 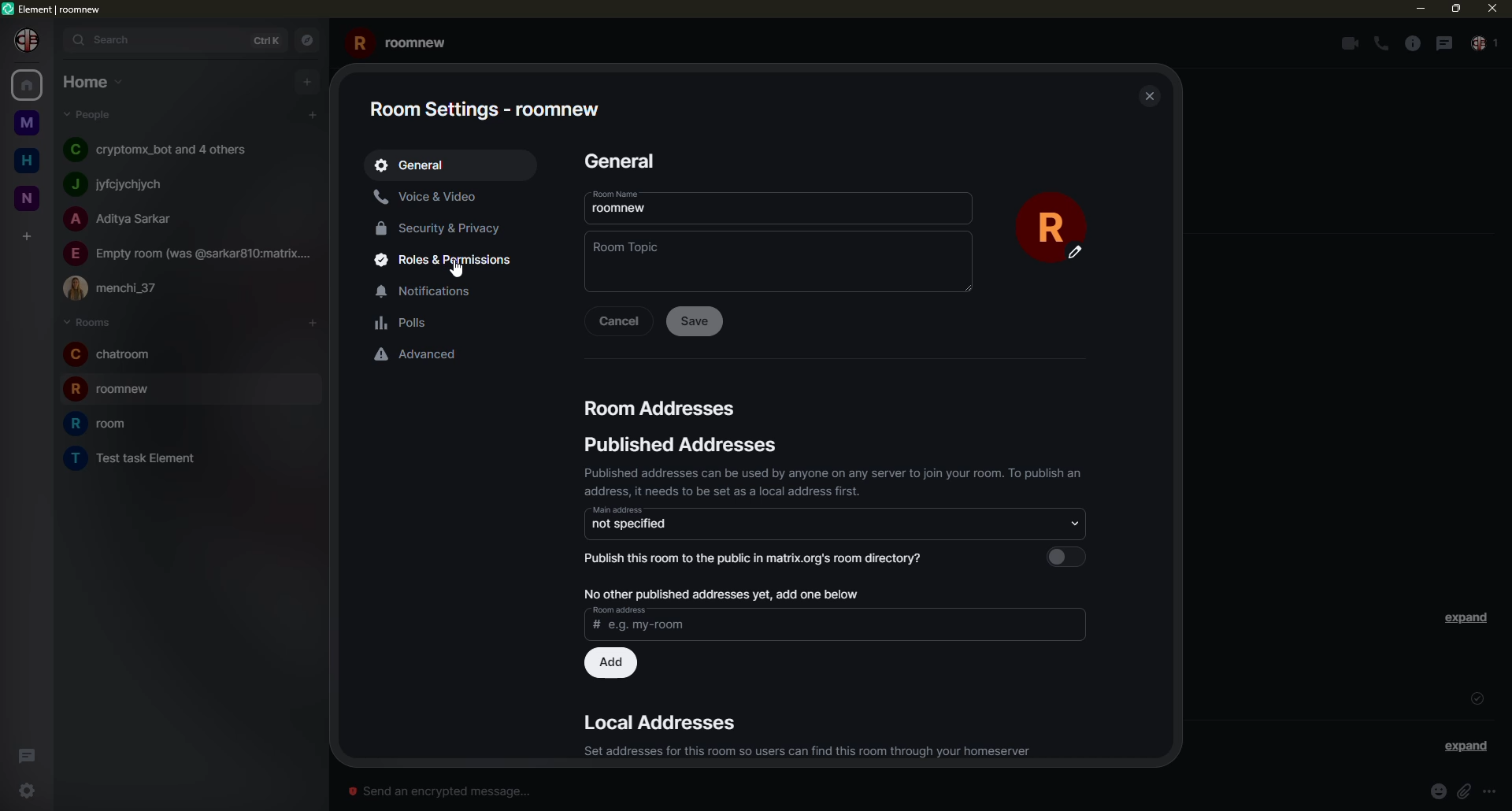 What do you see at coordinates (1347, 43) in the screenshot?
I see `video` at bounding box center [1347, 43].